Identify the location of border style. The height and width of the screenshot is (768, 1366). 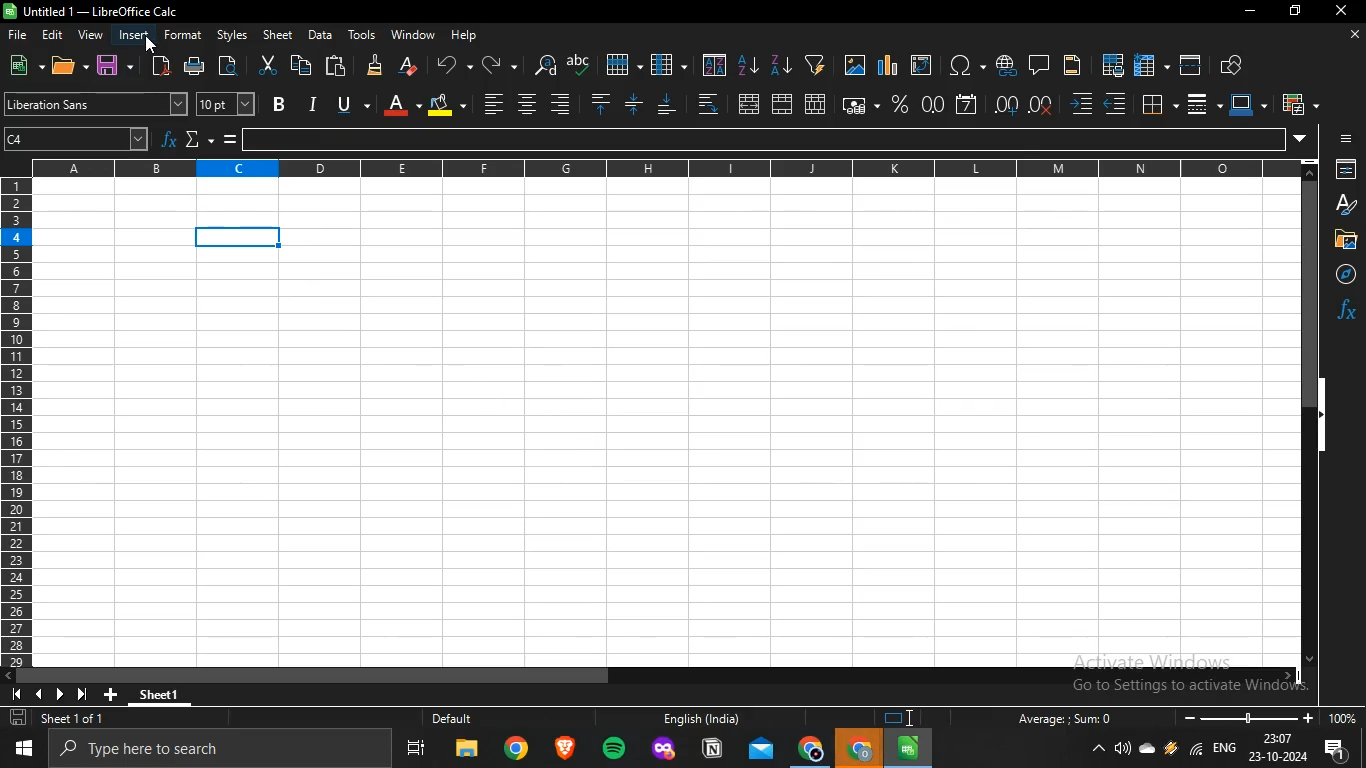
(1197, 104).